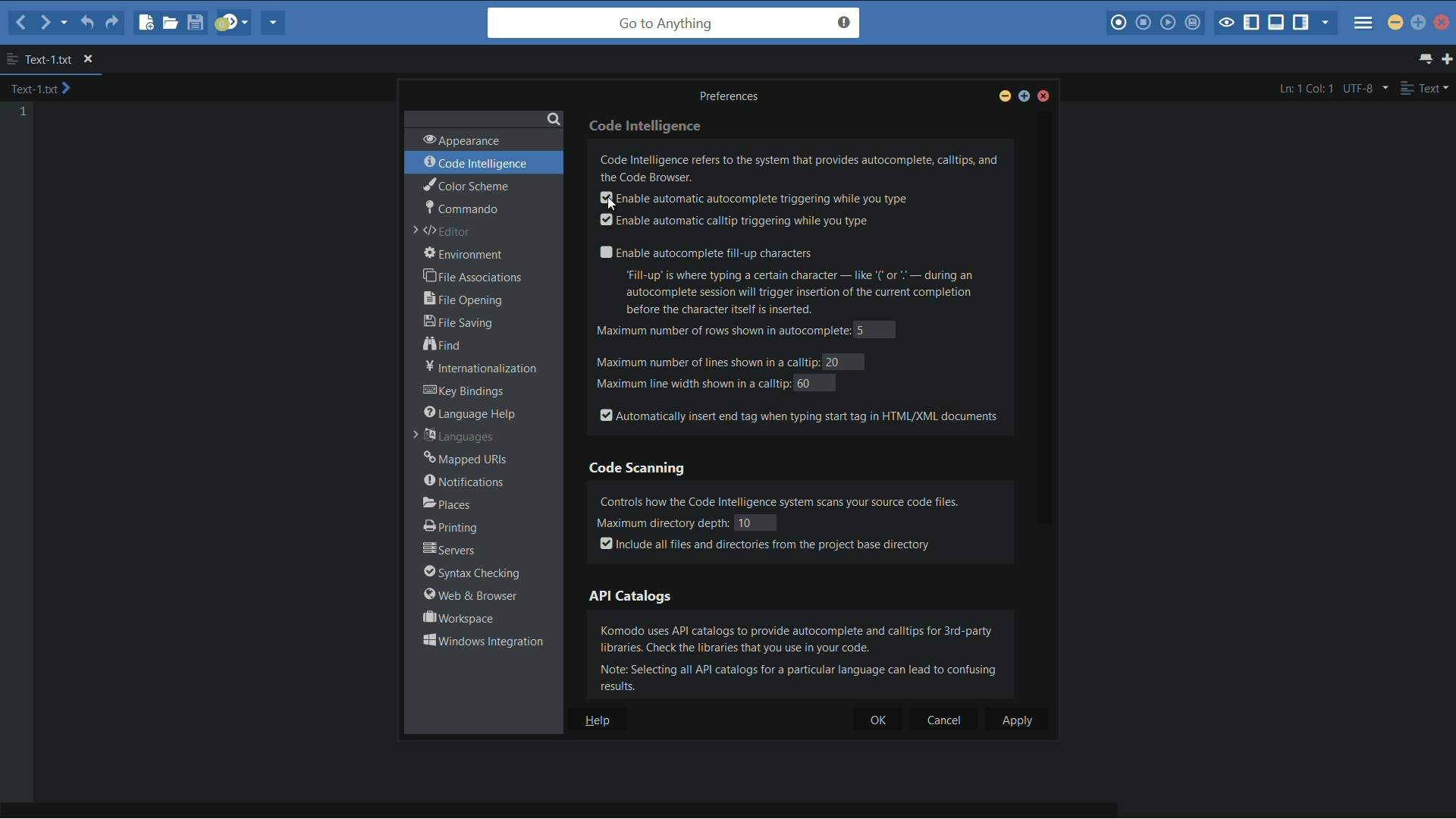 This screenshot has width=1456, height=819. I want to click on jump to next syntax correcting result, so click(233, 23).